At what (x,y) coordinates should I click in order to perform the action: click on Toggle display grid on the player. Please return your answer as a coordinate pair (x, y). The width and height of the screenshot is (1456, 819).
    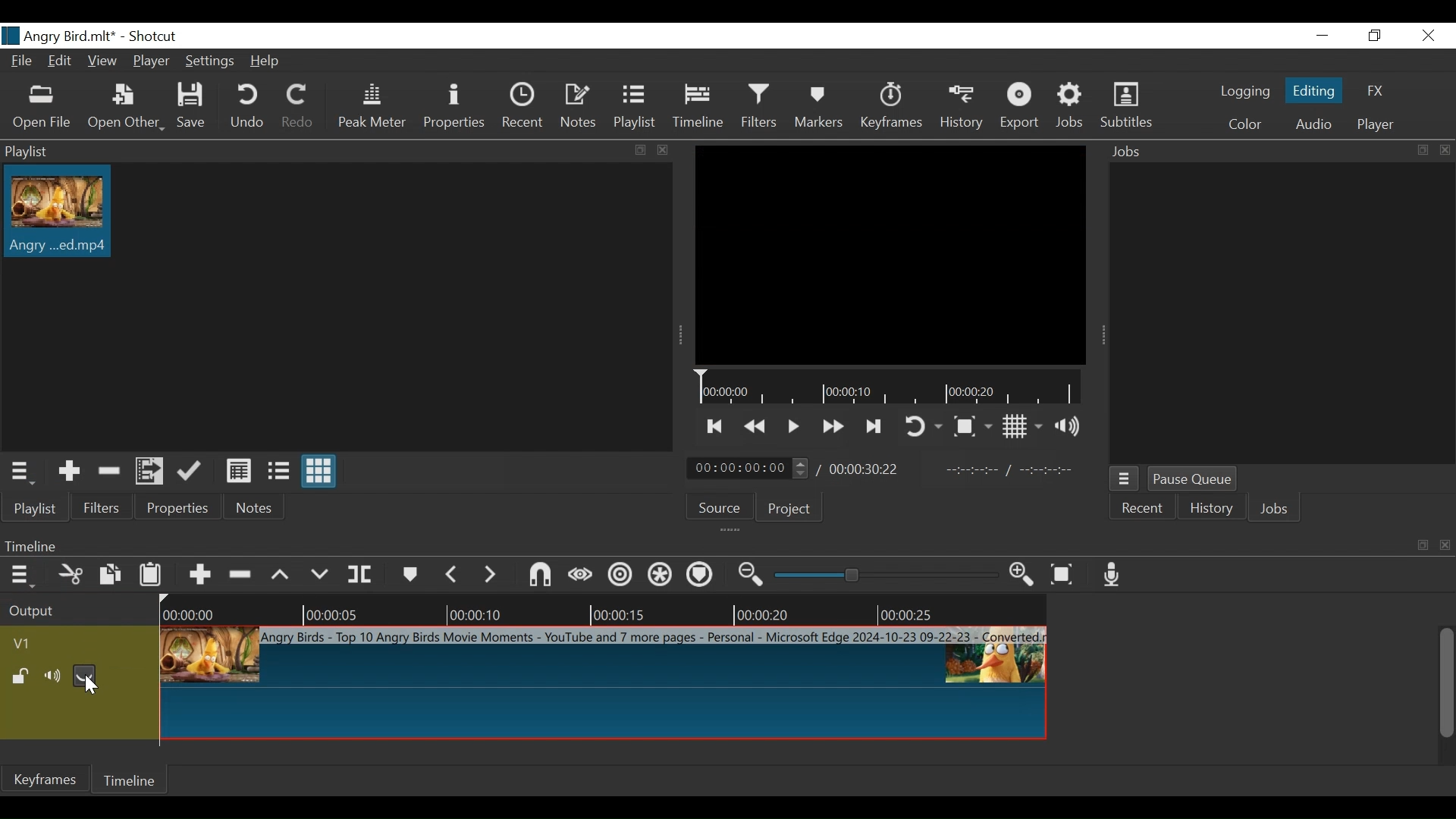
    Looking at the image, I should click on (1022, 426).